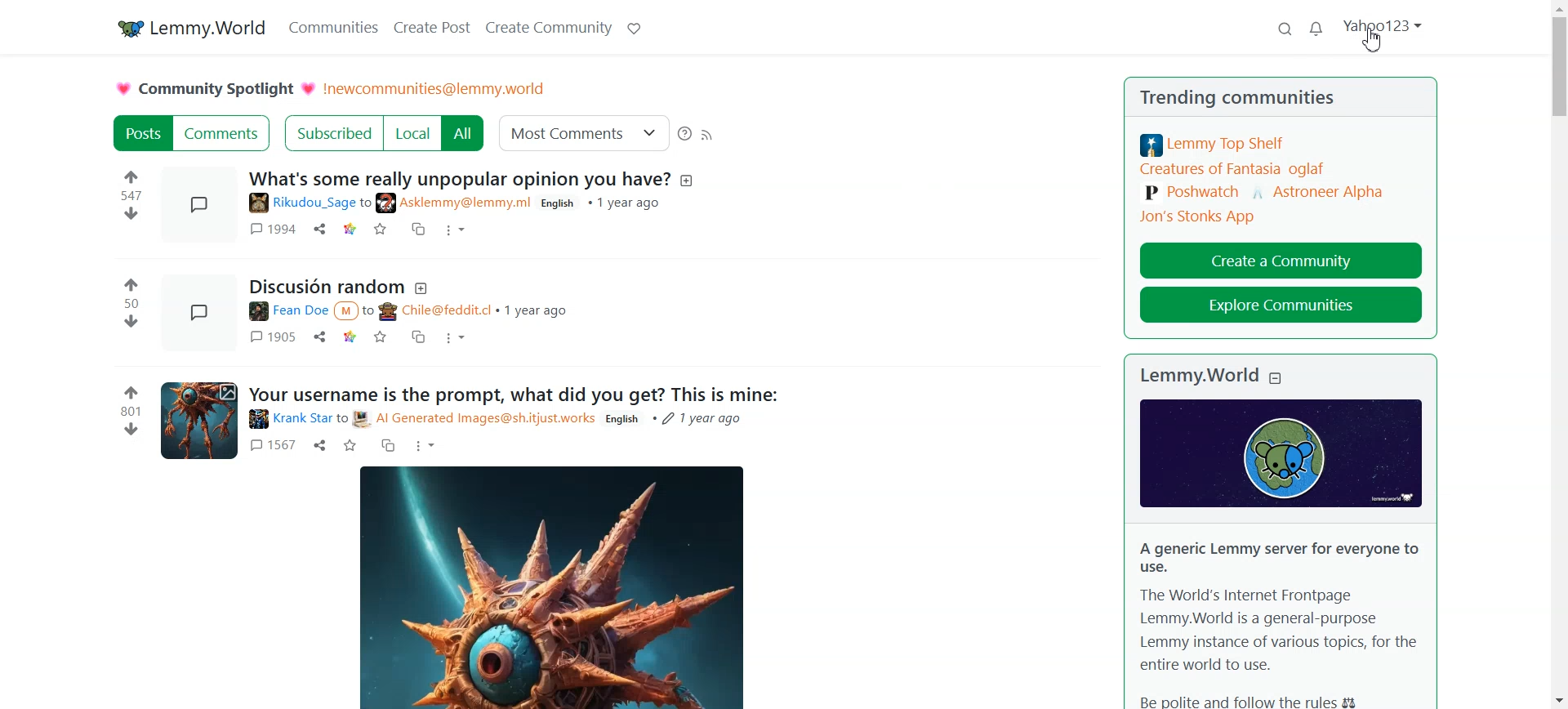 This screenshot has width=1568, height=709. I want to click on asklemmy@lemmy.ml, so click(456, 203).